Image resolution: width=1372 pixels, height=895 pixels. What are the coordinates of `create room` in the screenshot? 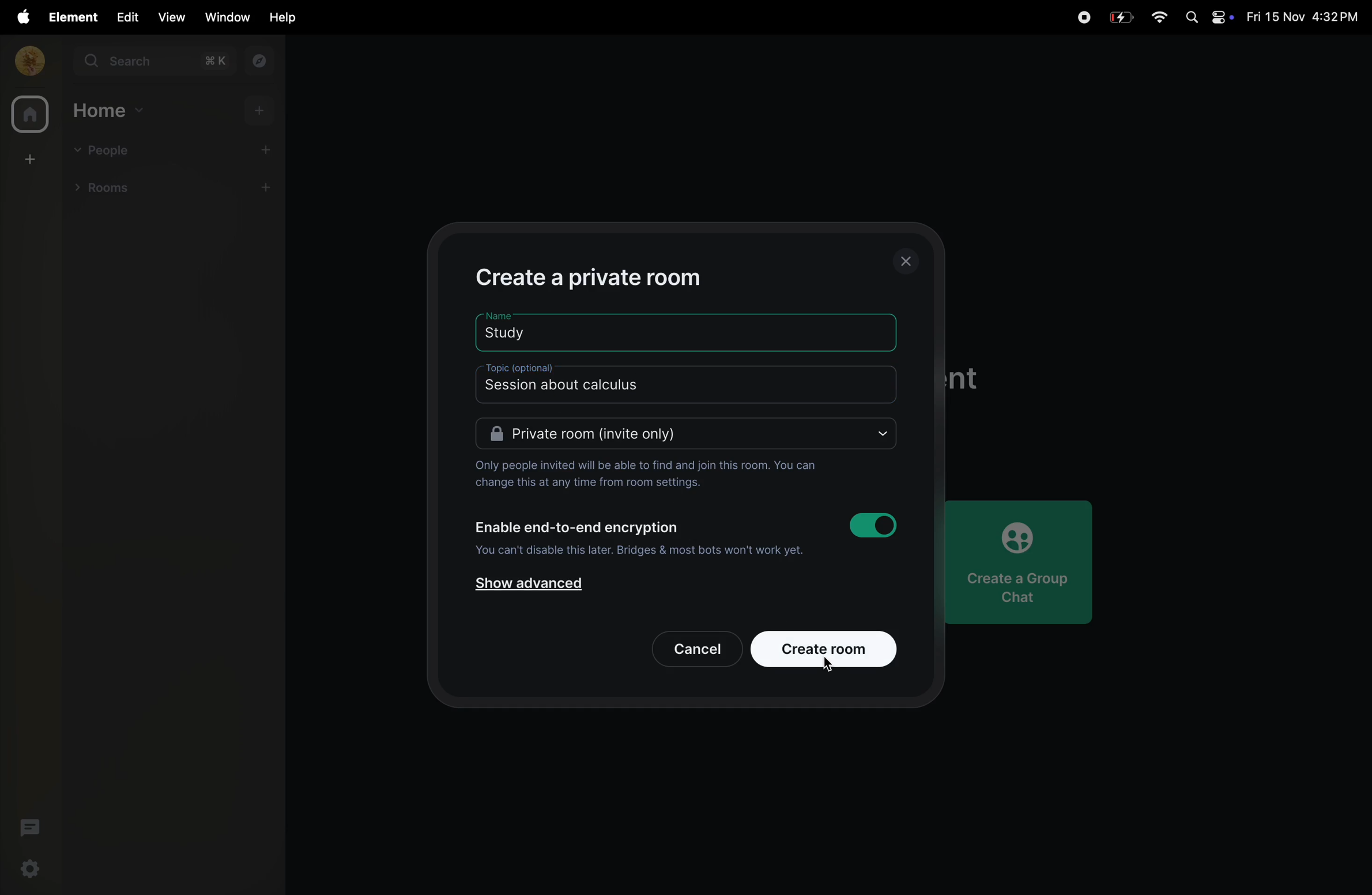 It's located at (825, 648).